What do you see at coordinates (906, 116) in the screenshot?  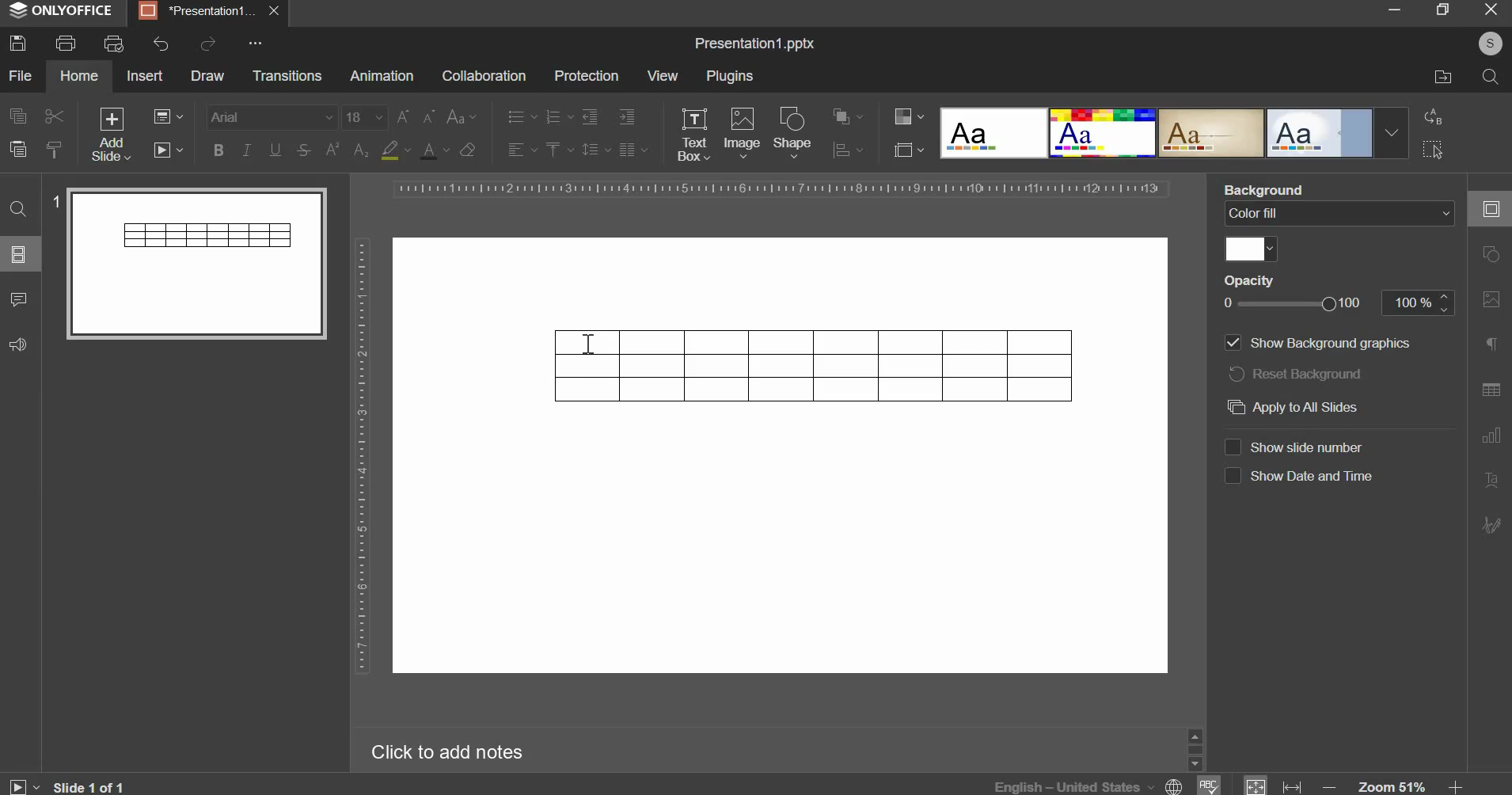 I see `design color` at bounding box center [906, 116].